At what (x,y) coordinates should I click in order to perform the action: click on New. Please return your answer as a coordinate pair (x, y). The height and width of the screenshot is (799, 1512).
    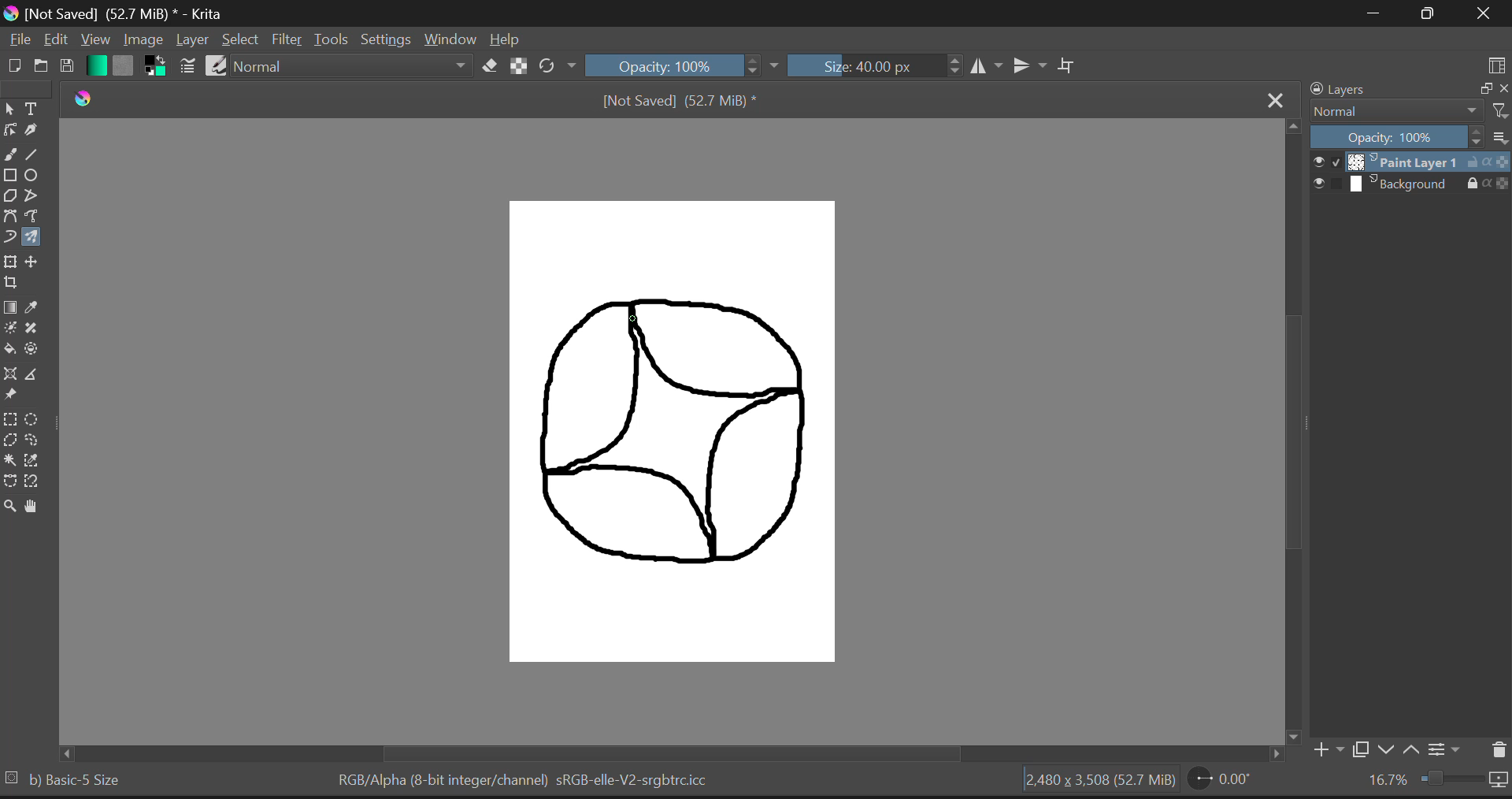
    Looking at the image, I should click on (13, 67).